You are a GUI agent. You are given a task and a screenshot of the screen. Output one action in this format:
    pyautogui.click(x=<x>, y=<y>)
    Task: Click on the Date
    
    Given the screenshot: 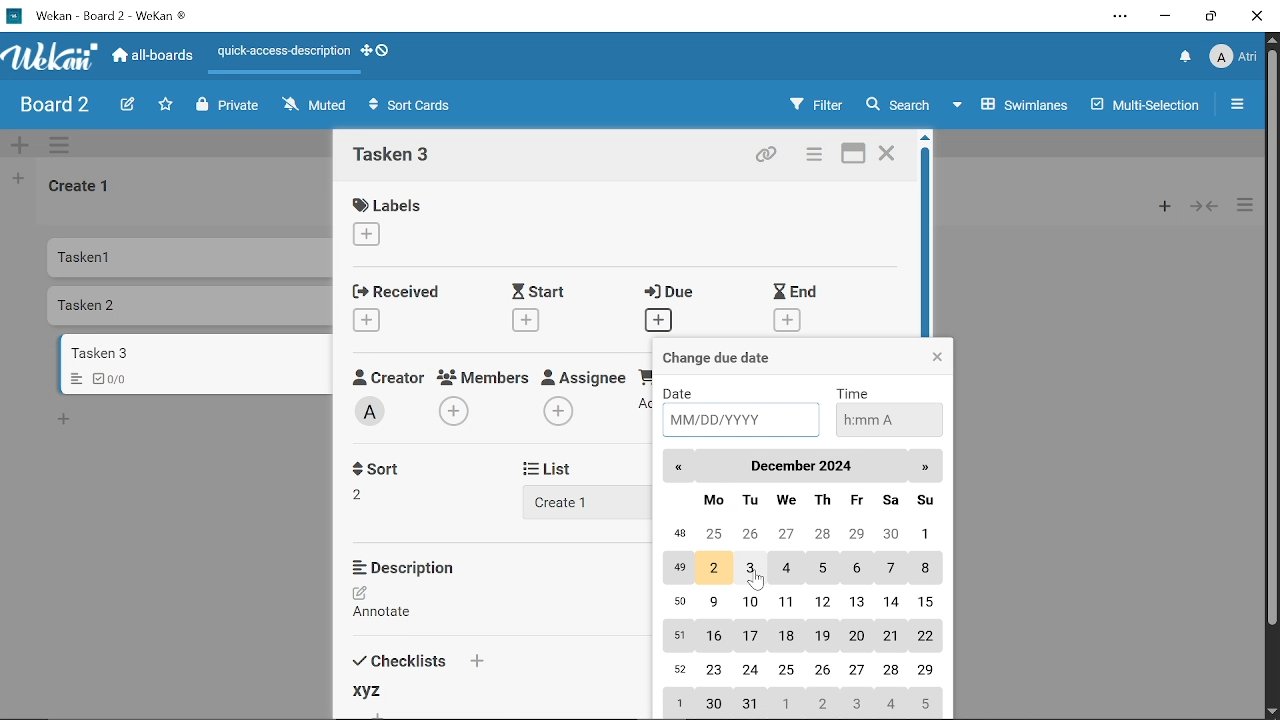 What is the action you would take?
    pyautogui.click(x=687, y=392)
    